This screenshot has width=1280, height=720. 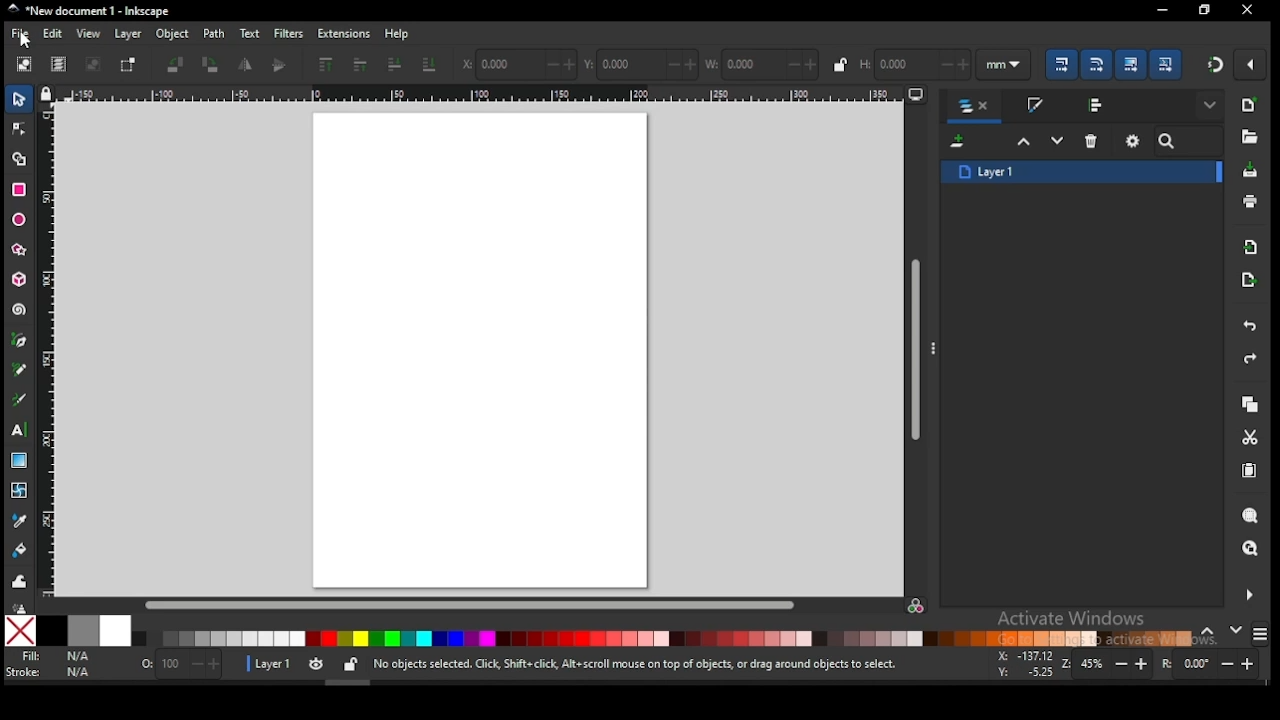 I want to click on activate windows, so click(x=1069, y=620).